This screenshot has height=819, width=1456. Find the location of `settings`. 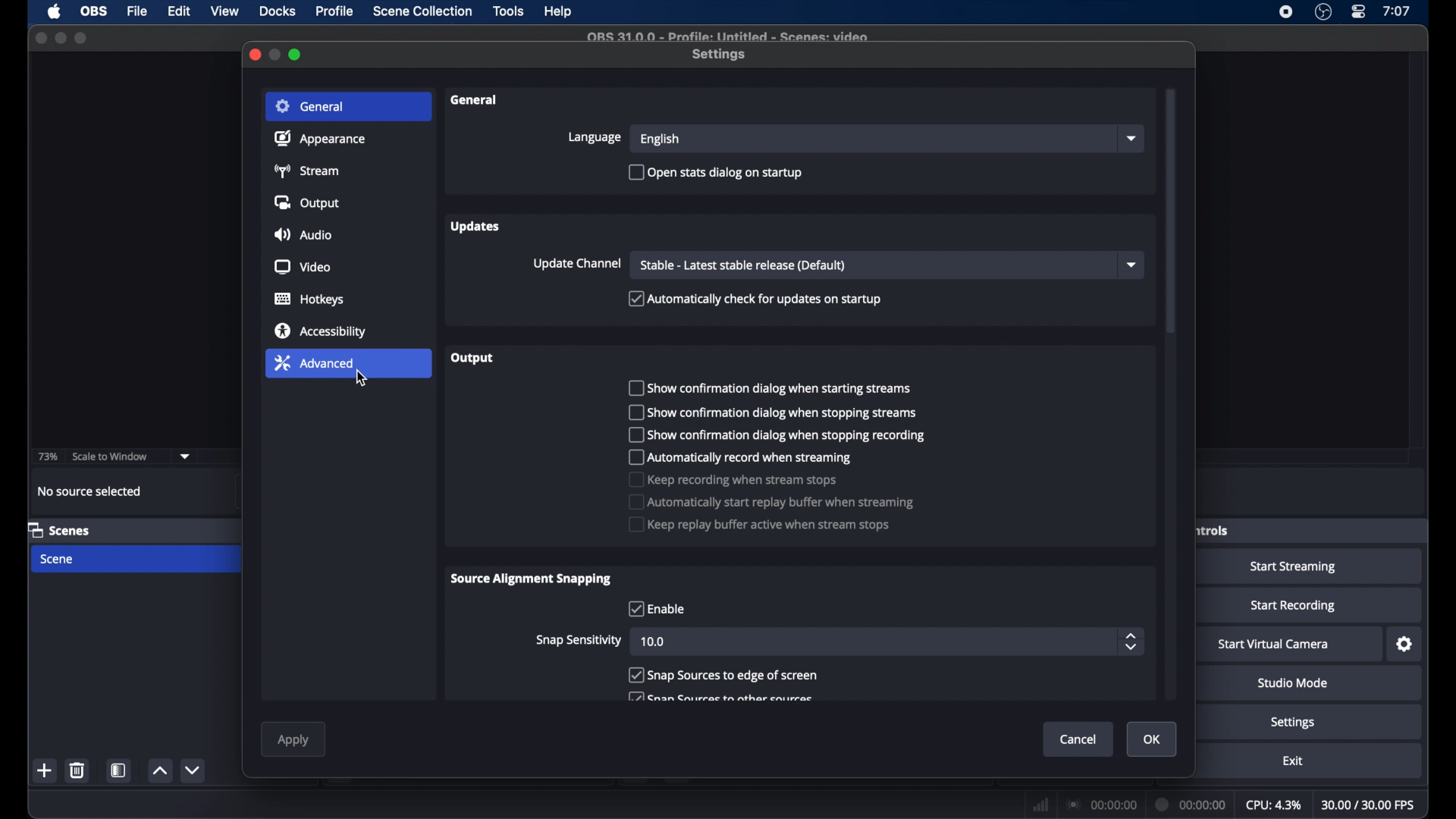

settings is located at coordinates (720, 55).